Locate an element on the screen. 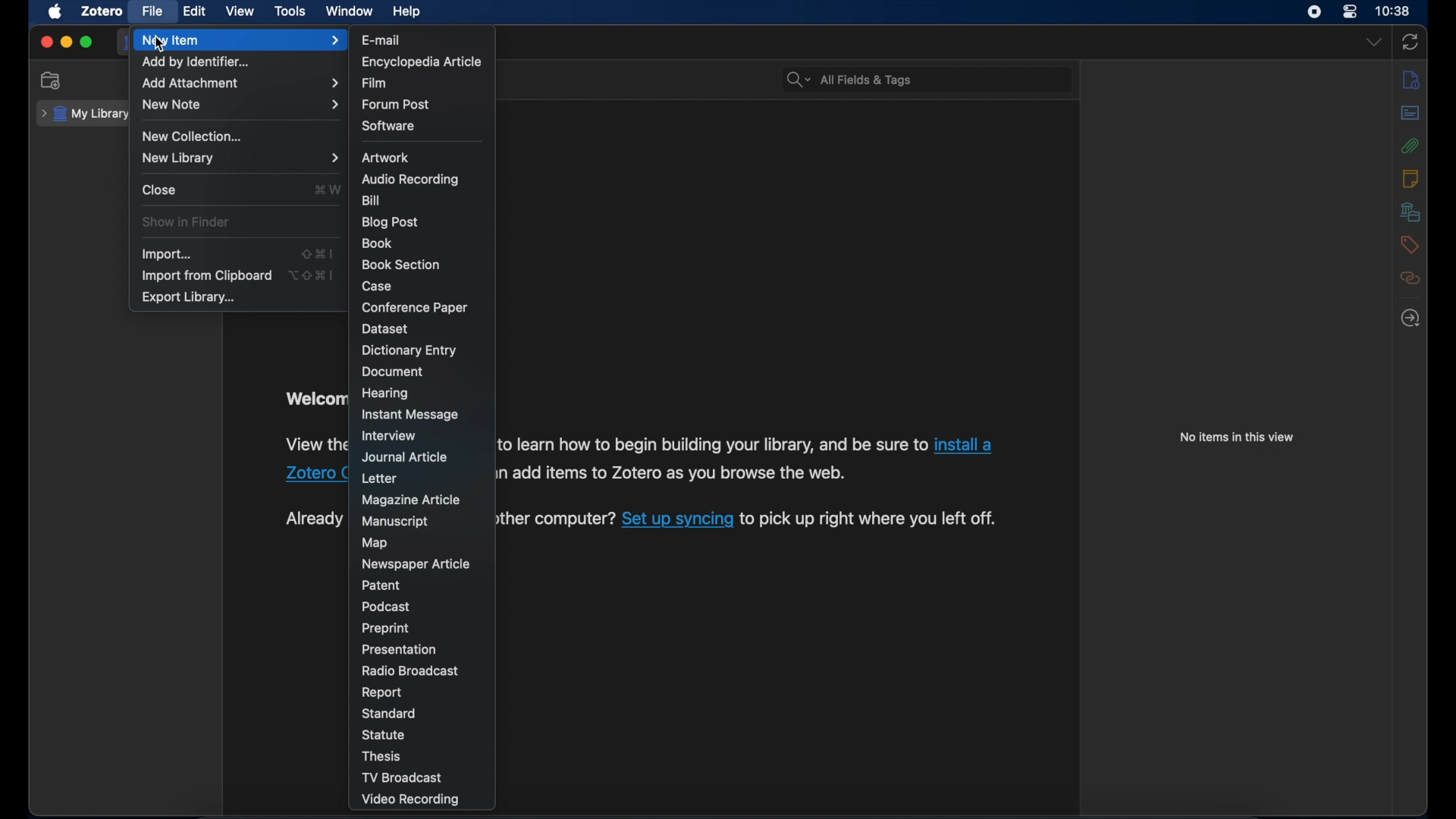 The height and width of the screenshot is (819, 1456). audio recording is located at coordinates (411, 180).